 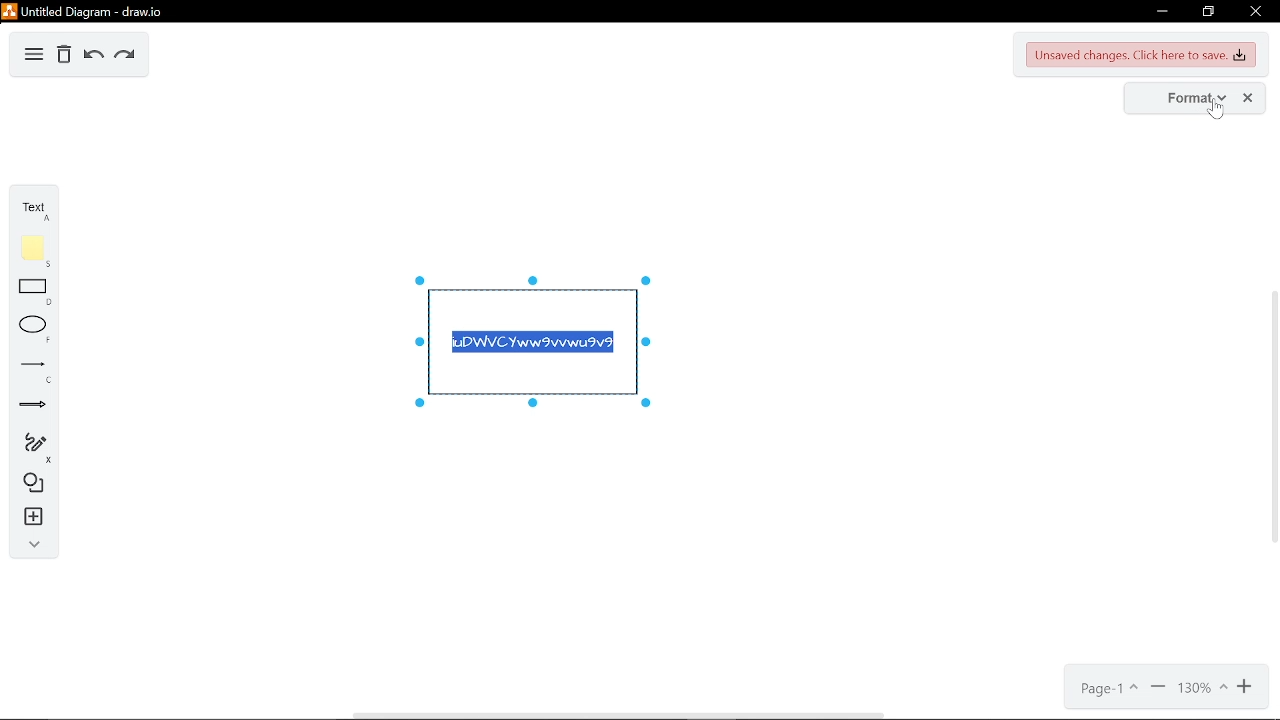 What do you see at coordinates (64, 56) in the screenshot?
I see `delete` at bounding box center [64, 56].